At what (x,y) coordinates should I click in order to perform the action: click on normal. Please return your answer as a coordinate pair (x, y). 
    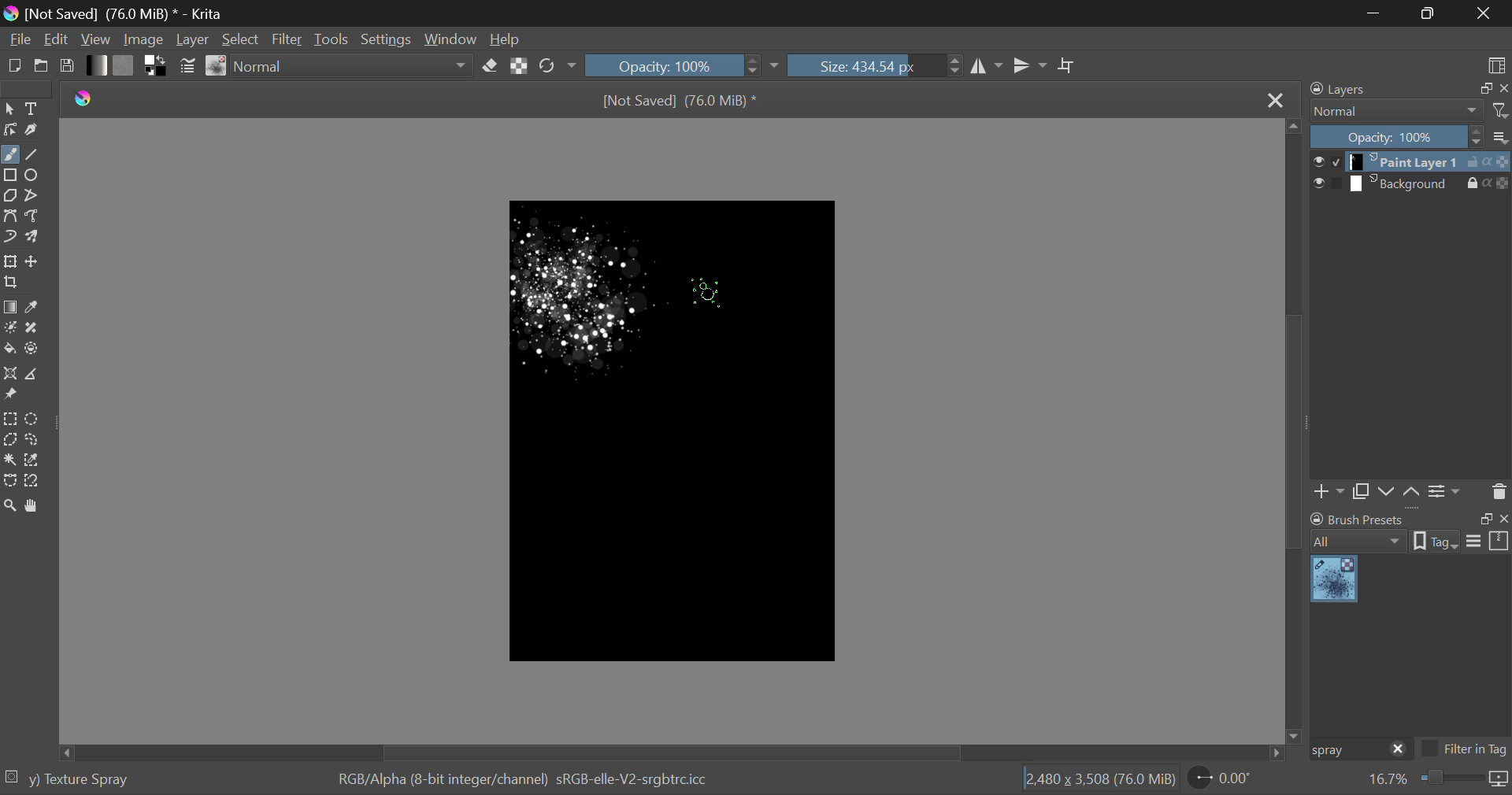
    Looking at the image, I should click on (1397, 111).